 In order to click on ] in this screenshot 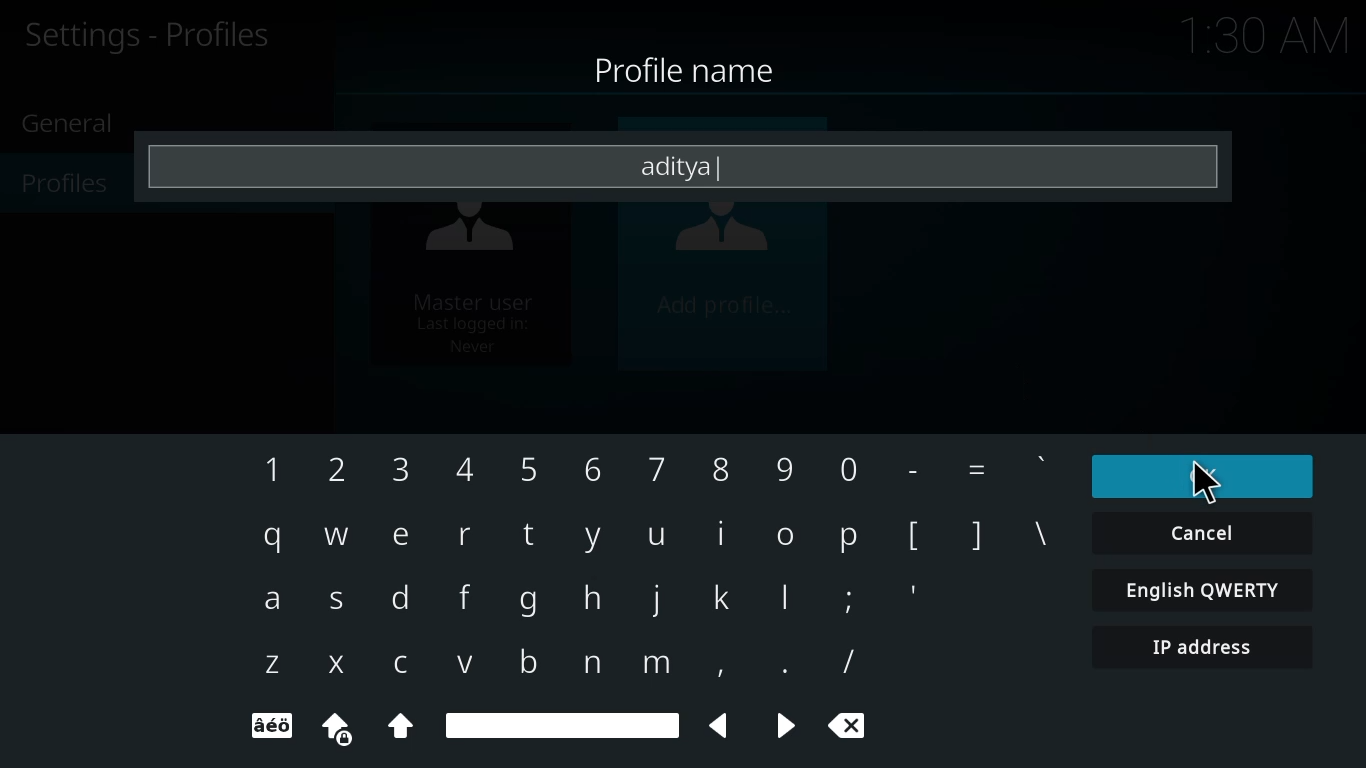, I will do `click(977, 542)`.